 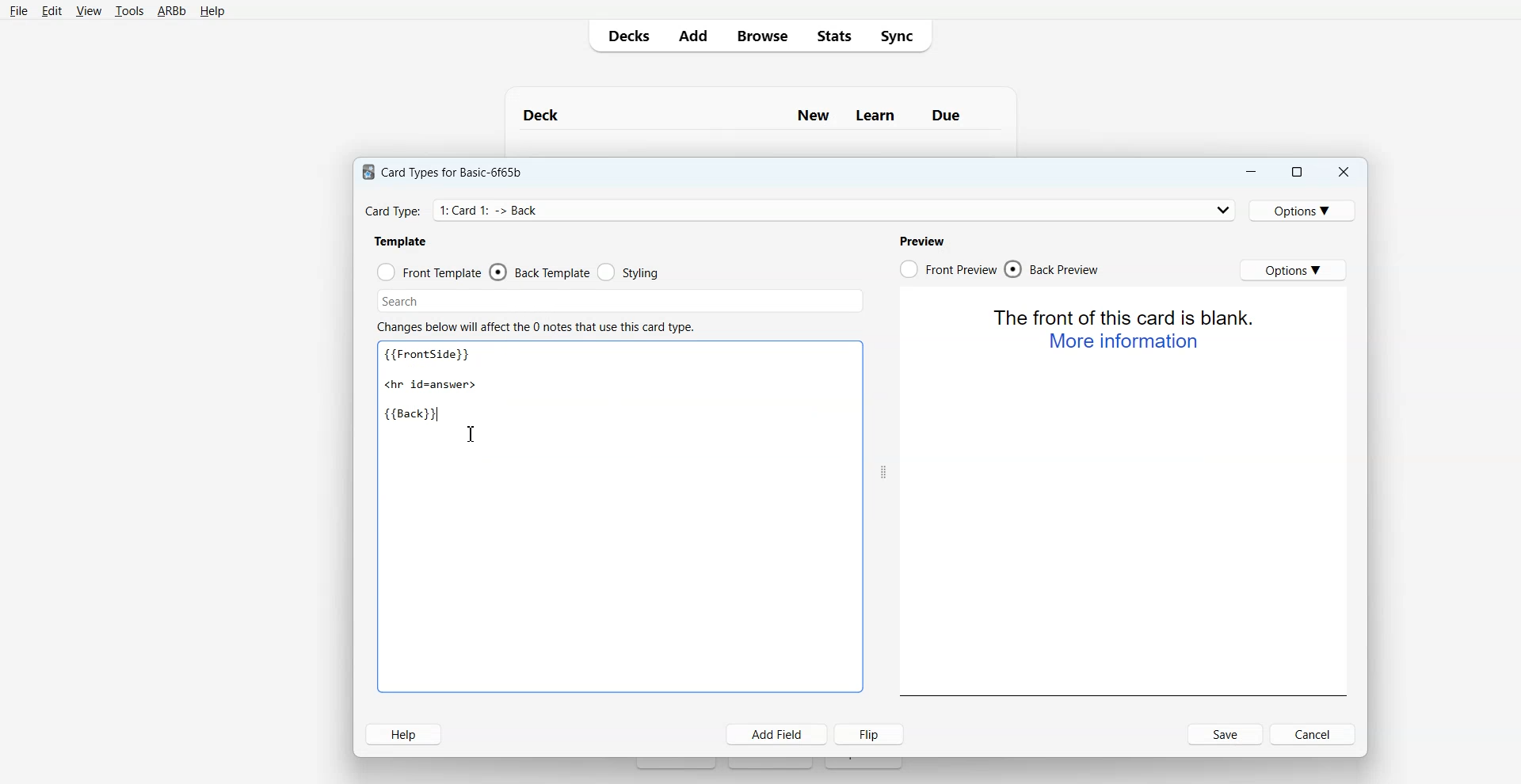 I want to click on Text 1, so click(x=448, y=169).